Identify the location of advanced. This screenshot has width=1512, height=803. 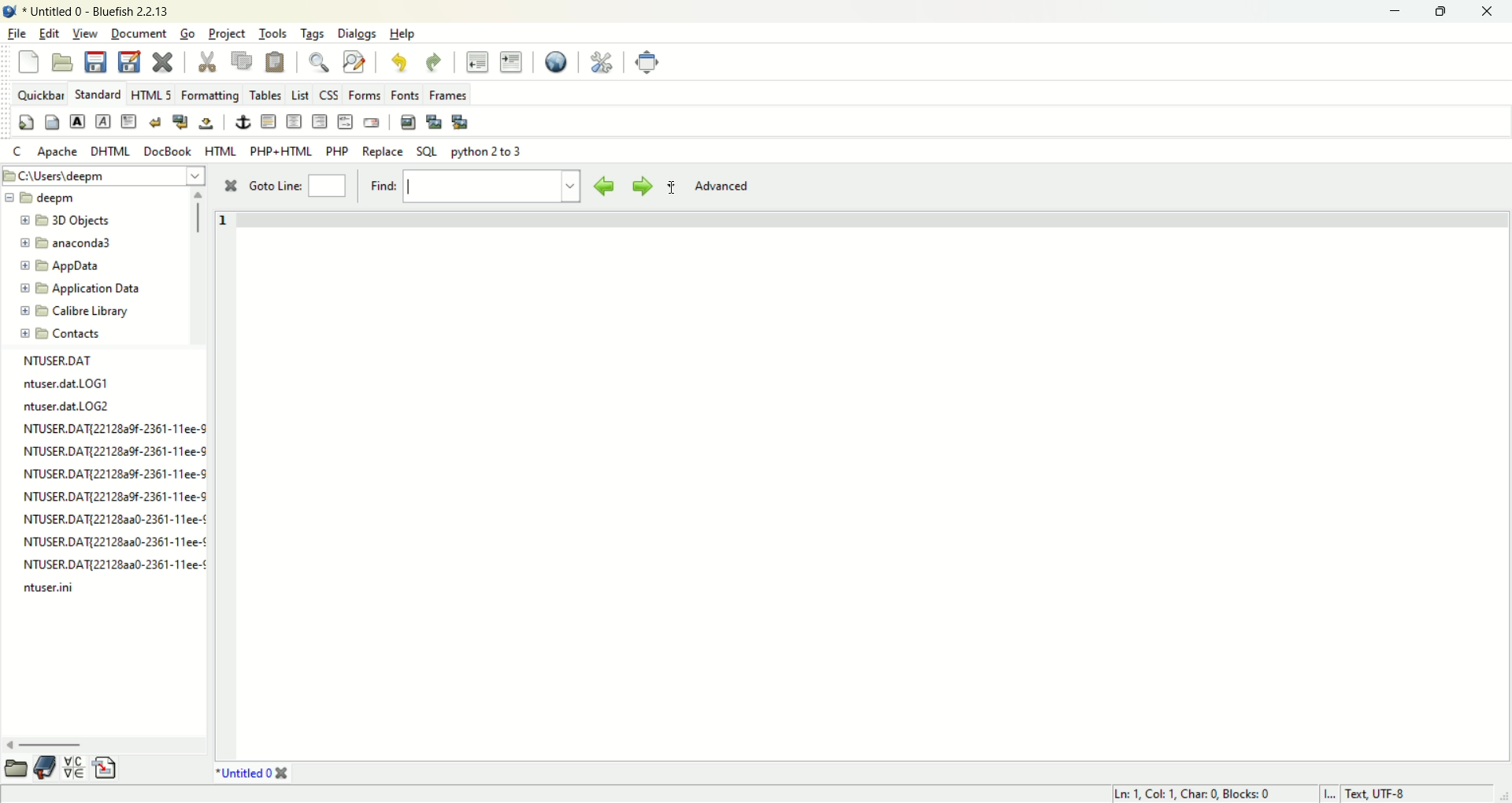
(728, 187).